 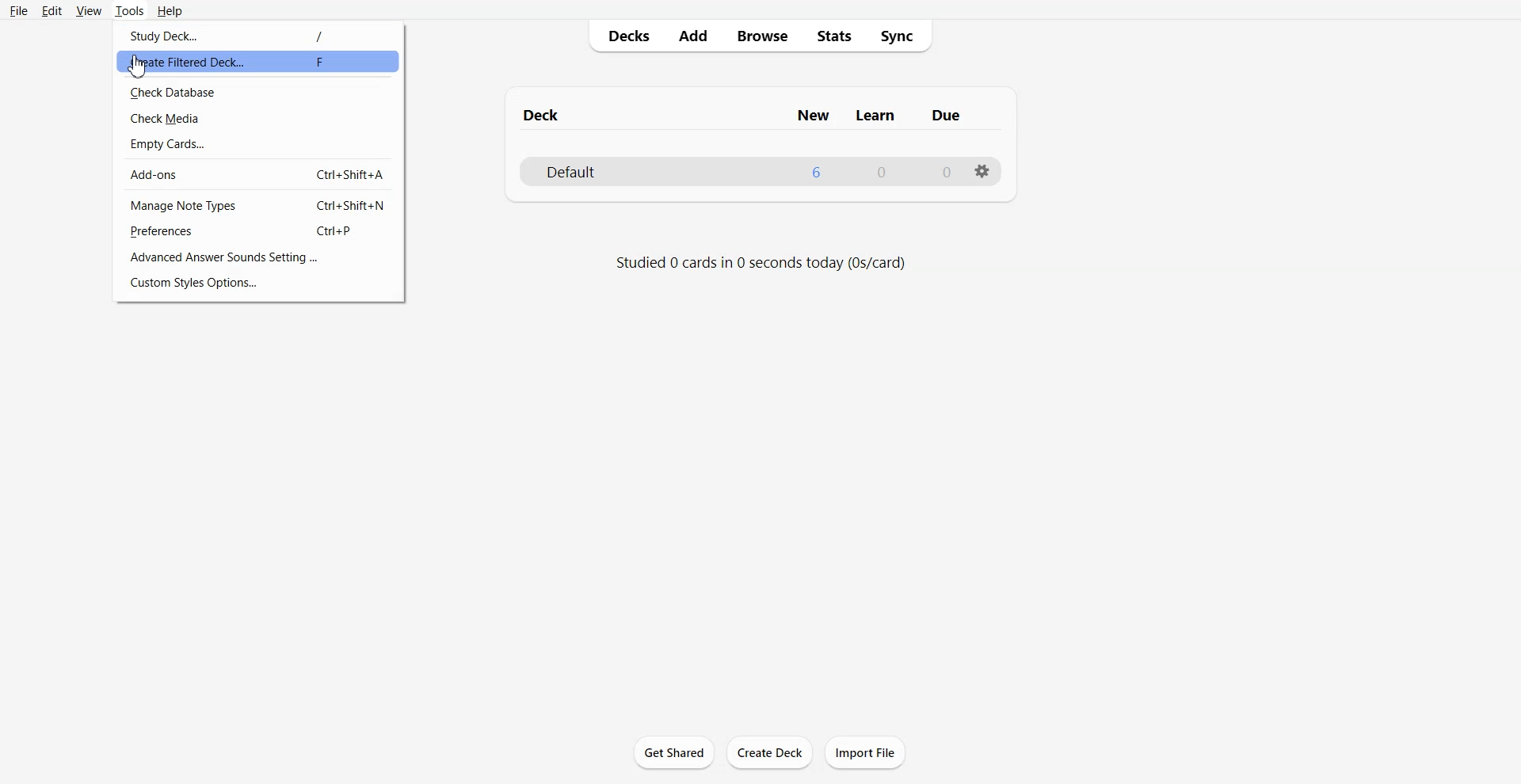 I want to click on Check Media, so click(x=259, y=117).